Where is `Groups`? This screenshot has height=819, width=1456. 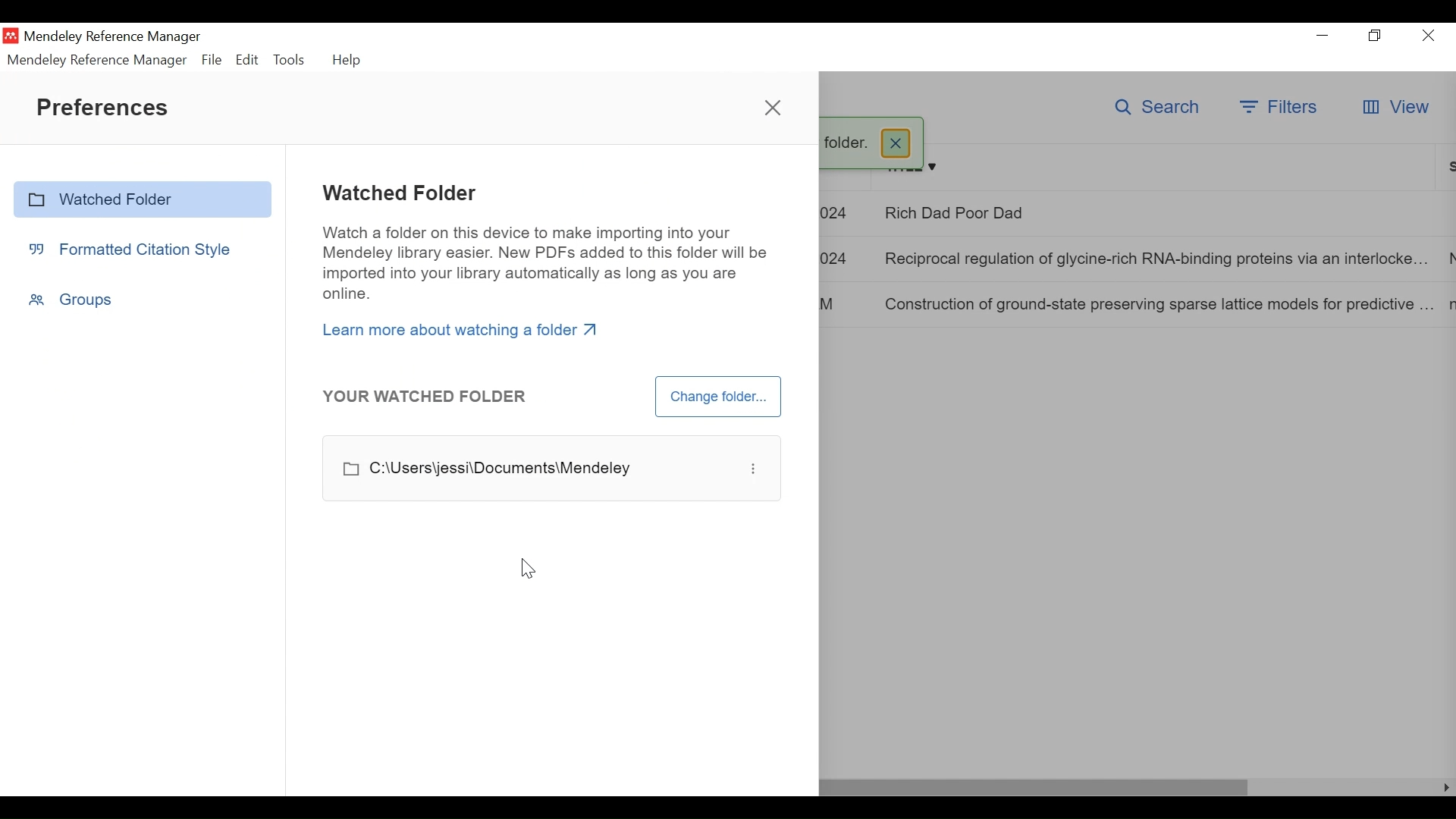
Groups is located at coordinates (80, 300).